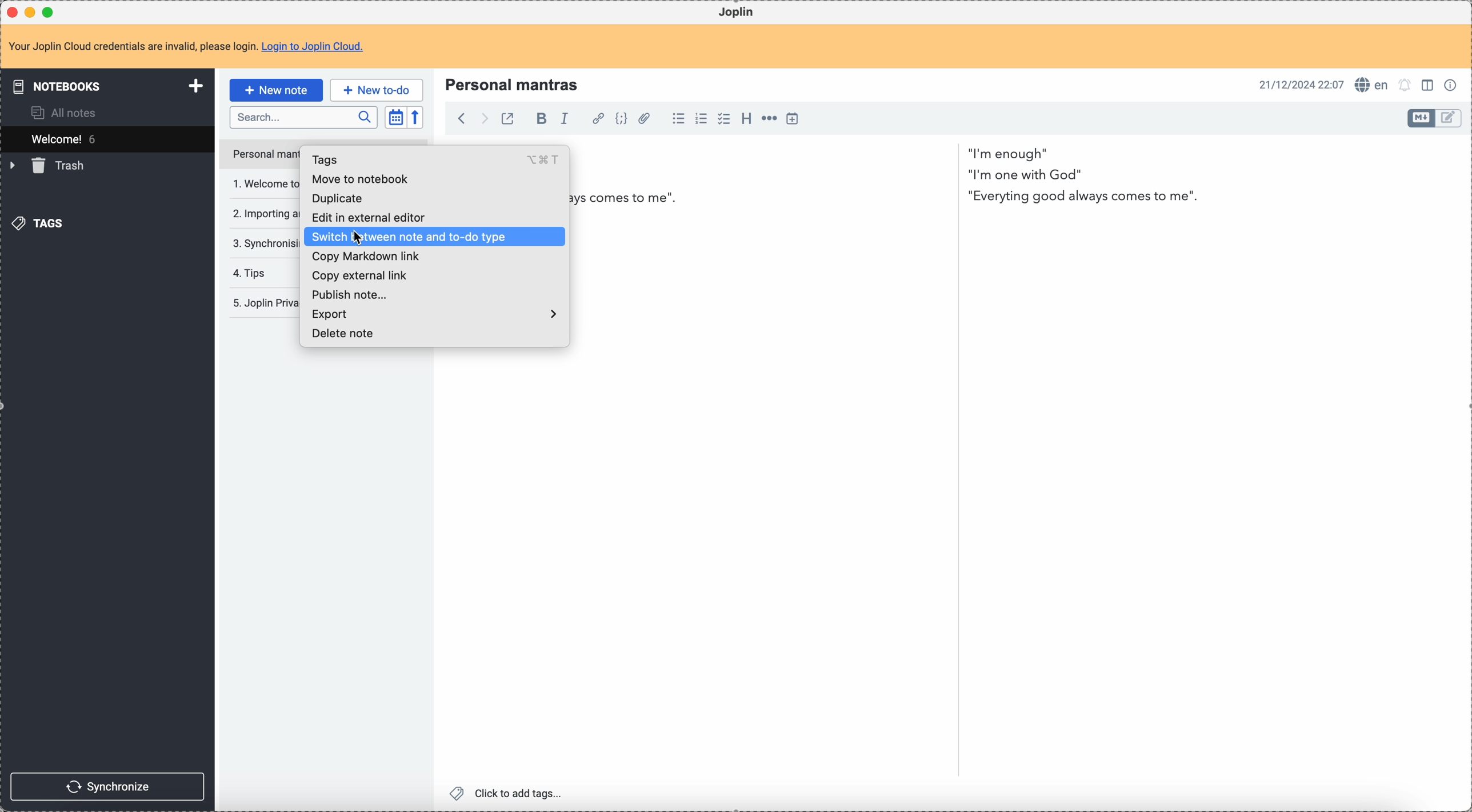 The image size is (1472, 812). I want to click on foward, so click(483, 119).